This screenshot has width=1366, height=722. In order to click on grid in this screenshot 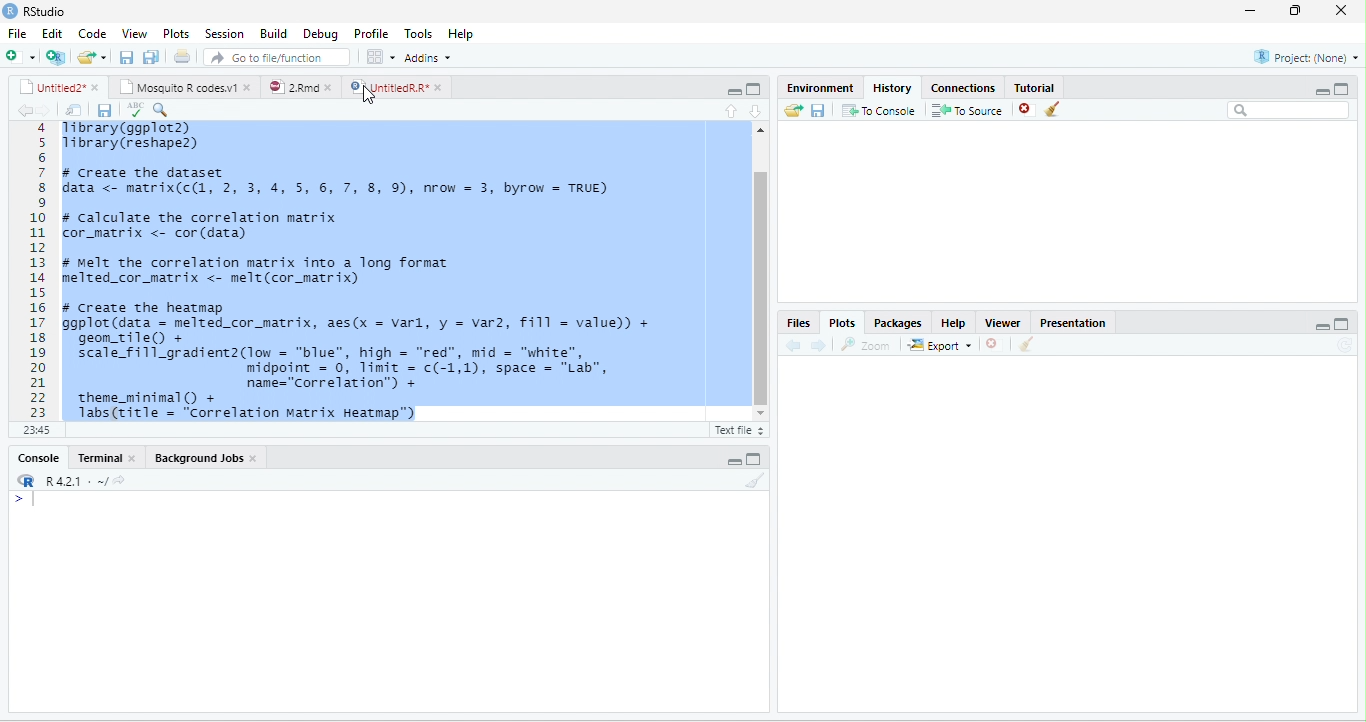, I will do `click(380, 58)`.